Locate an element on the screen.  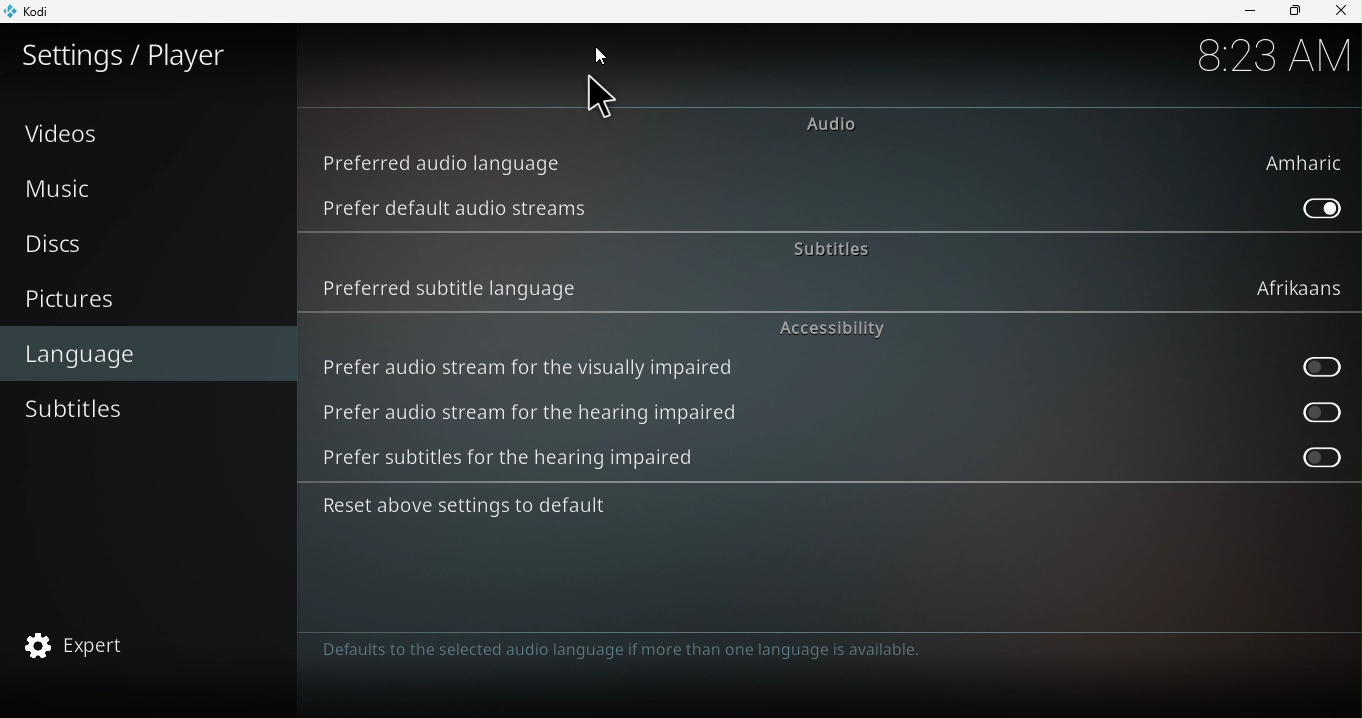
Accessibility is located at coordinates (834, 327).